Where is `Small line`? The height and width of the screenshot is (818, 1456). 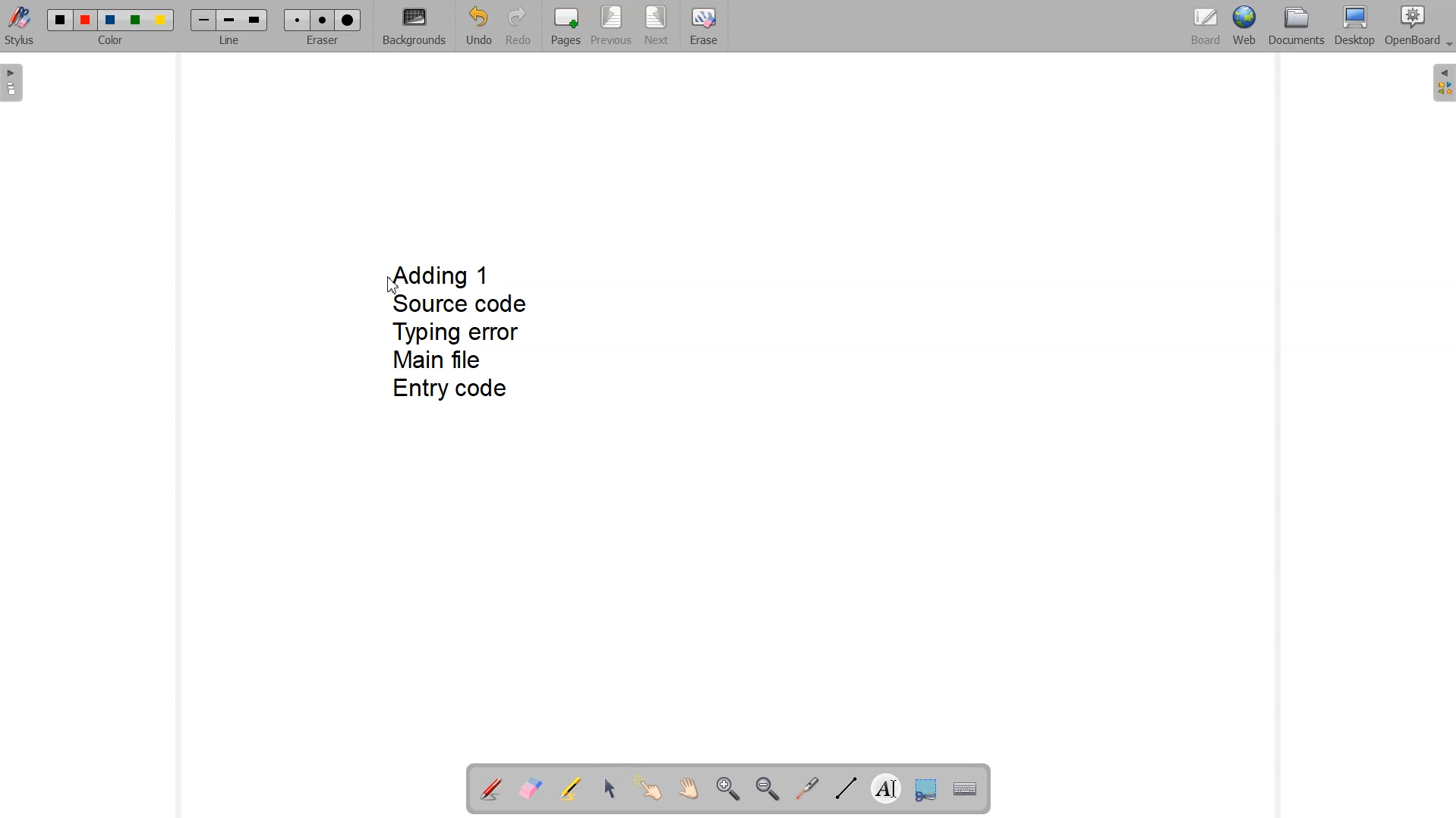
Small line is located at coordinates (204, 20).